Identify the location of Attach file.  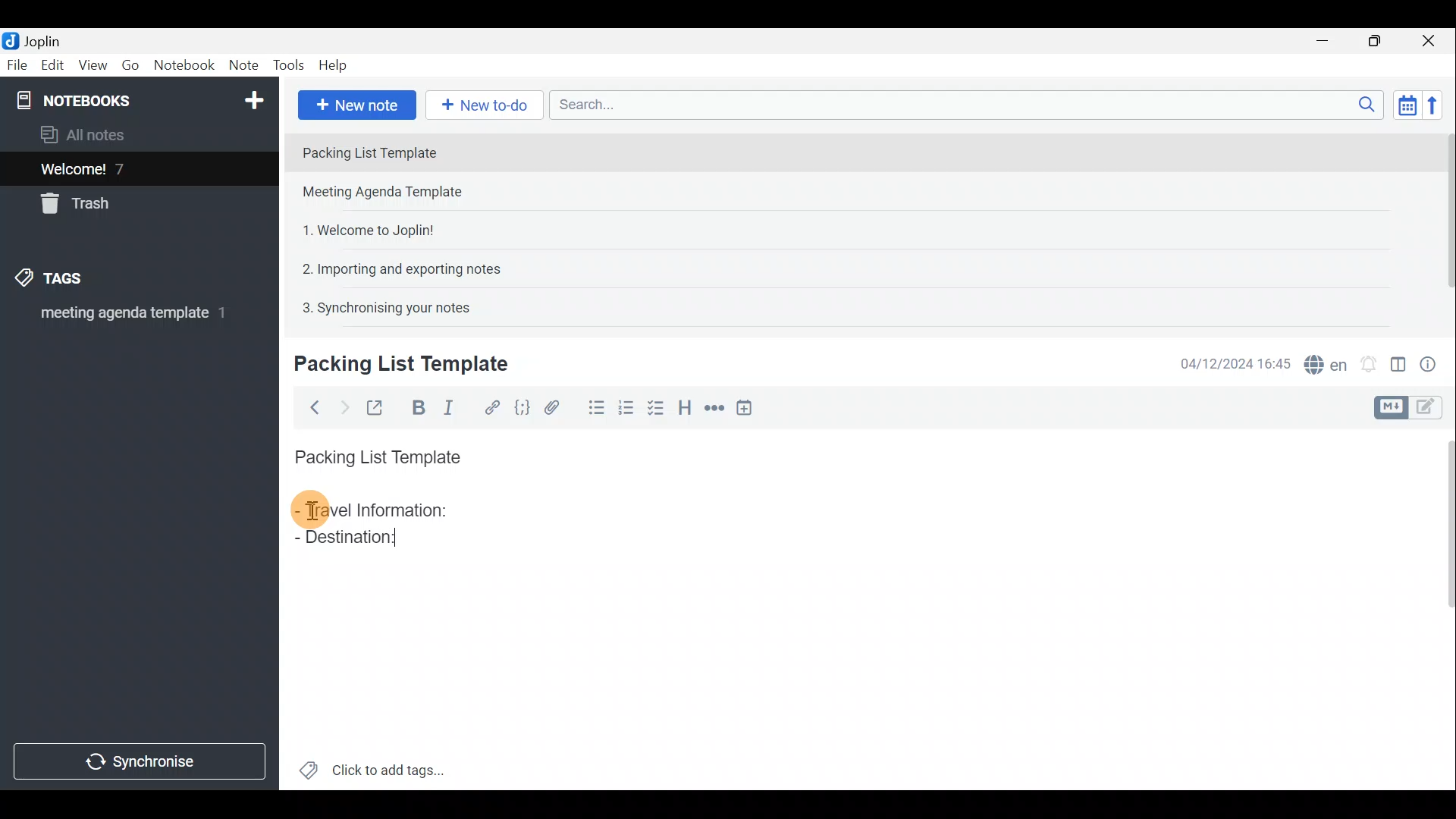
(552, 406).